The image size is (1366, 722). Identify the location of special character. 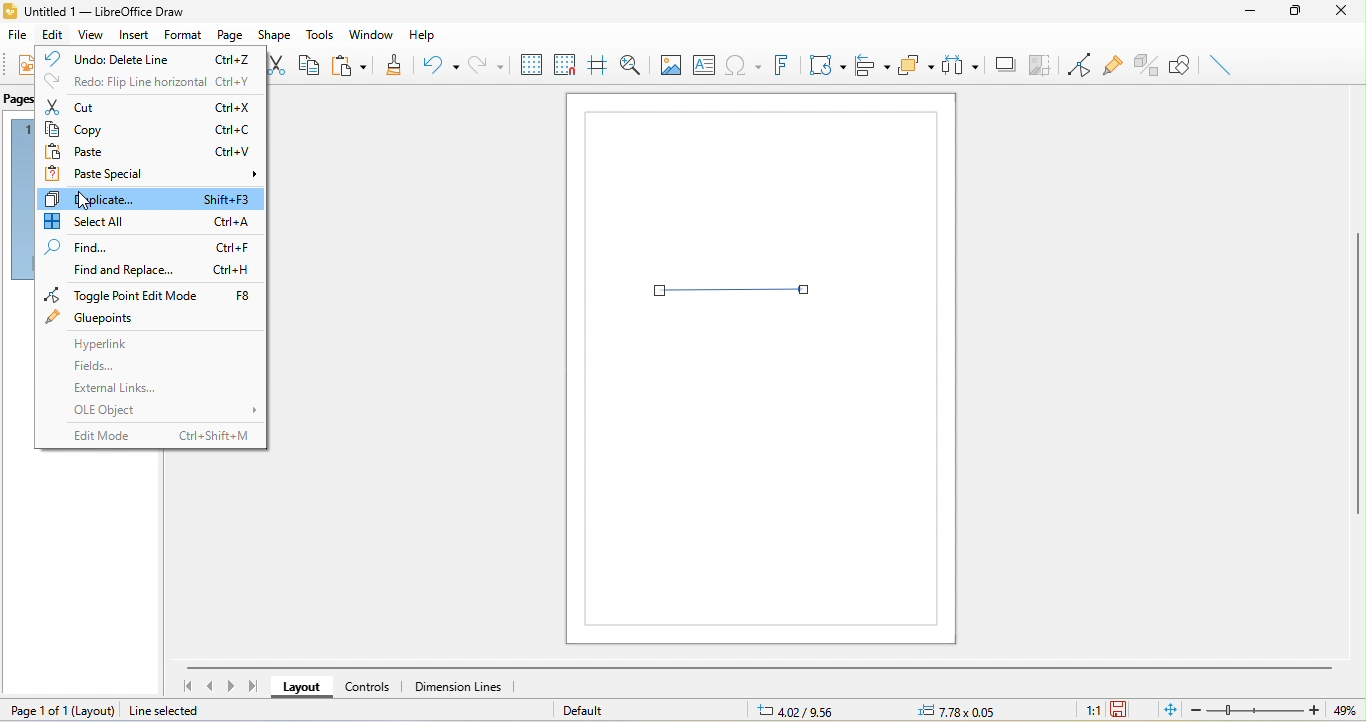
(742, 64).